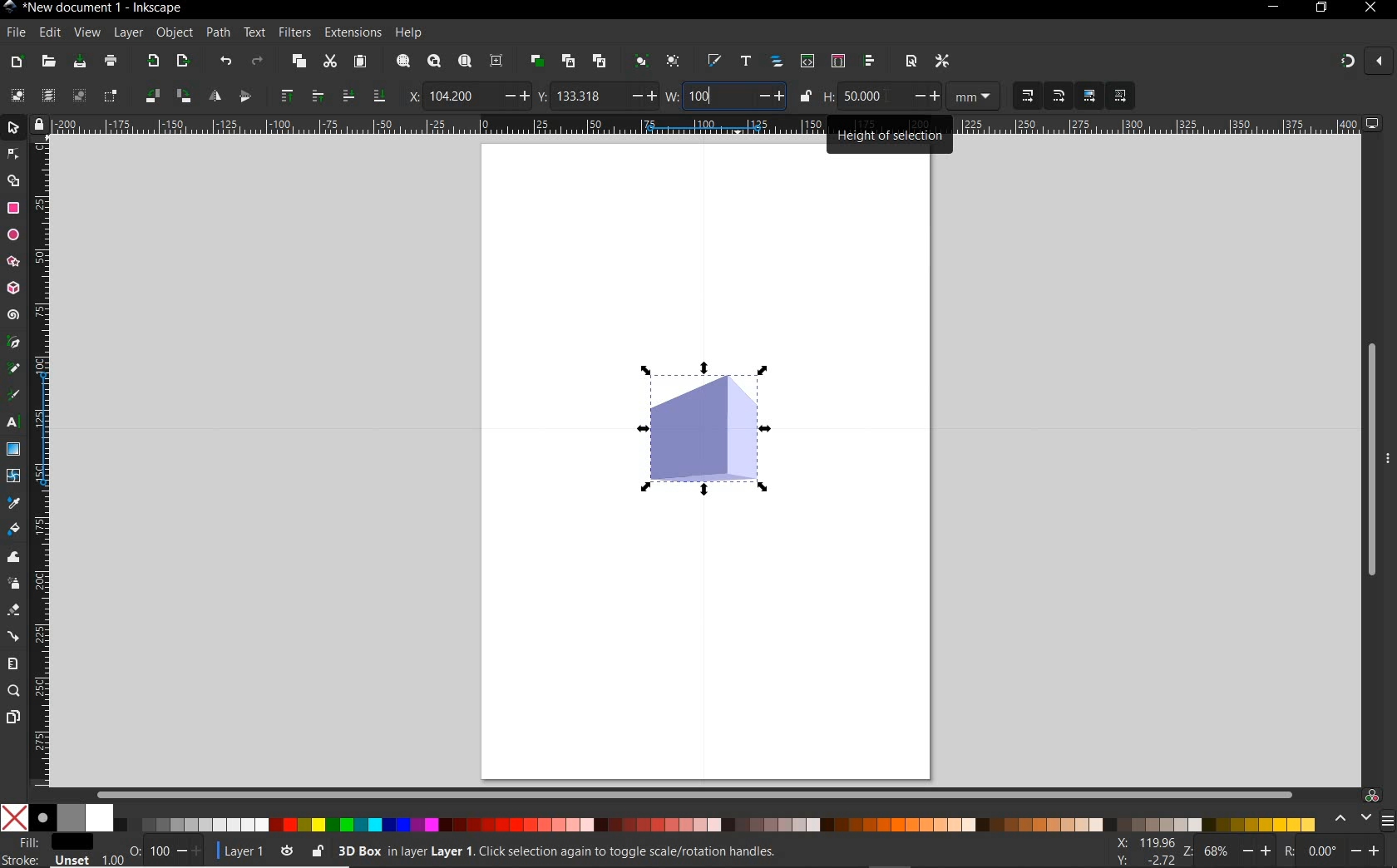 The width and height of the screenshot is (1397, 868). Describe the element at coordinates (1388, 821) in the screenshot. I see `menu` at that location.